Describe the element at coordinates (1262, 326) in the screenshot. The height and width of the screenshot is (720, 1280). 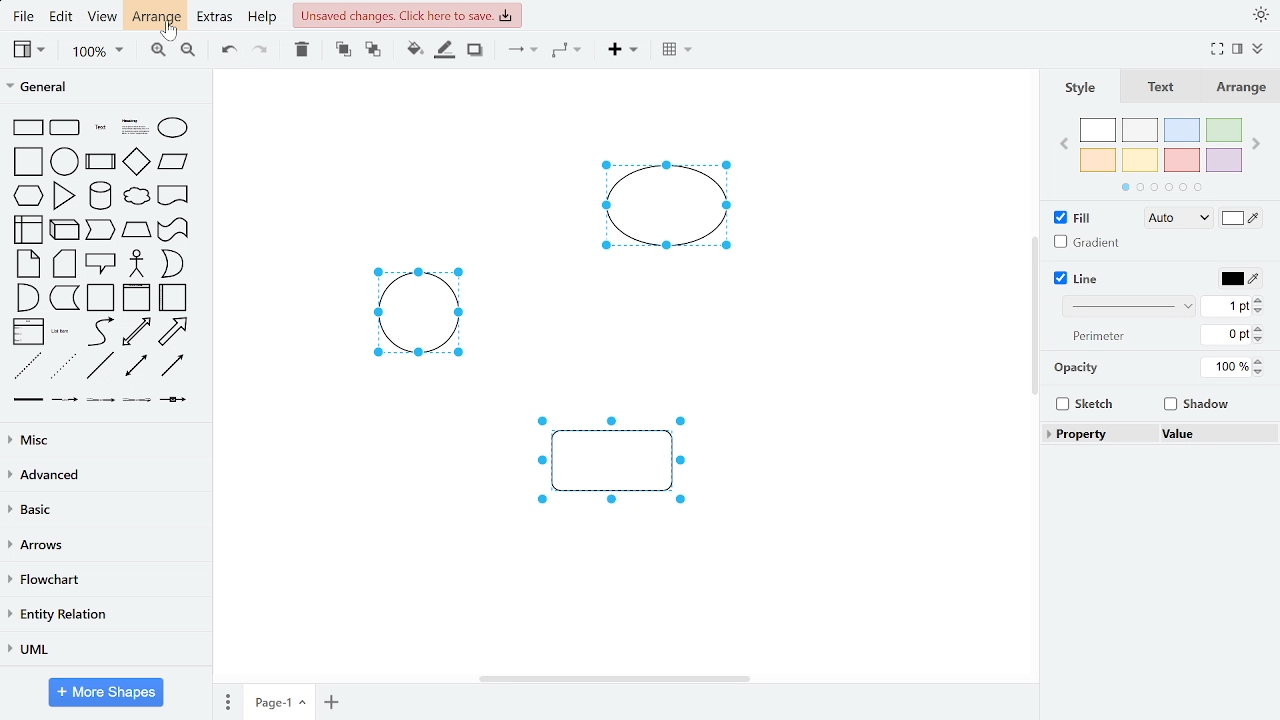
I see `increase perimeter` at that location.